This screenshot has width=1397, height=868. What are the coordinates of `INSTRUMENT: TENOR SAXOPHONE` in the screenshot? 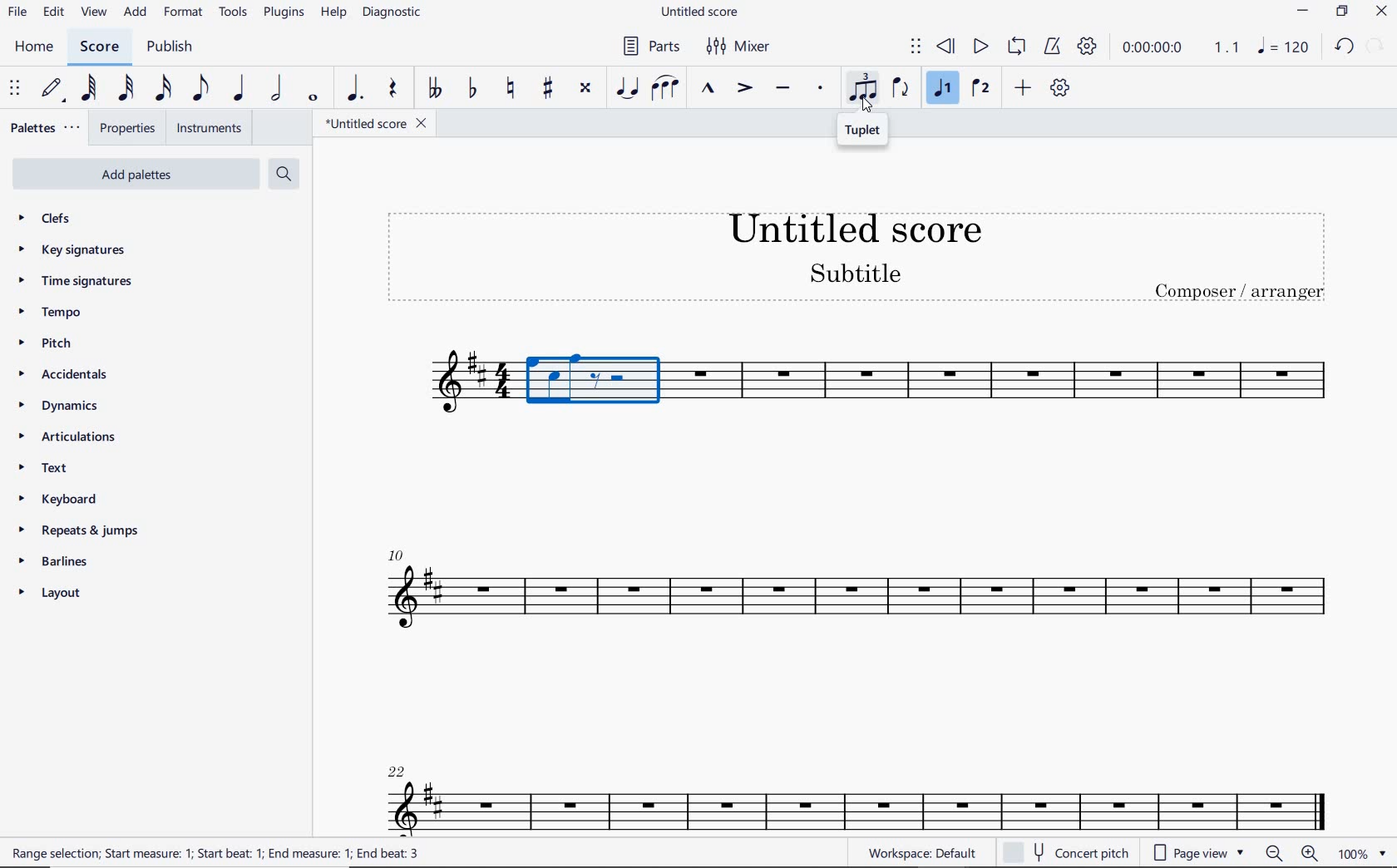 It's located at (1006, 386).